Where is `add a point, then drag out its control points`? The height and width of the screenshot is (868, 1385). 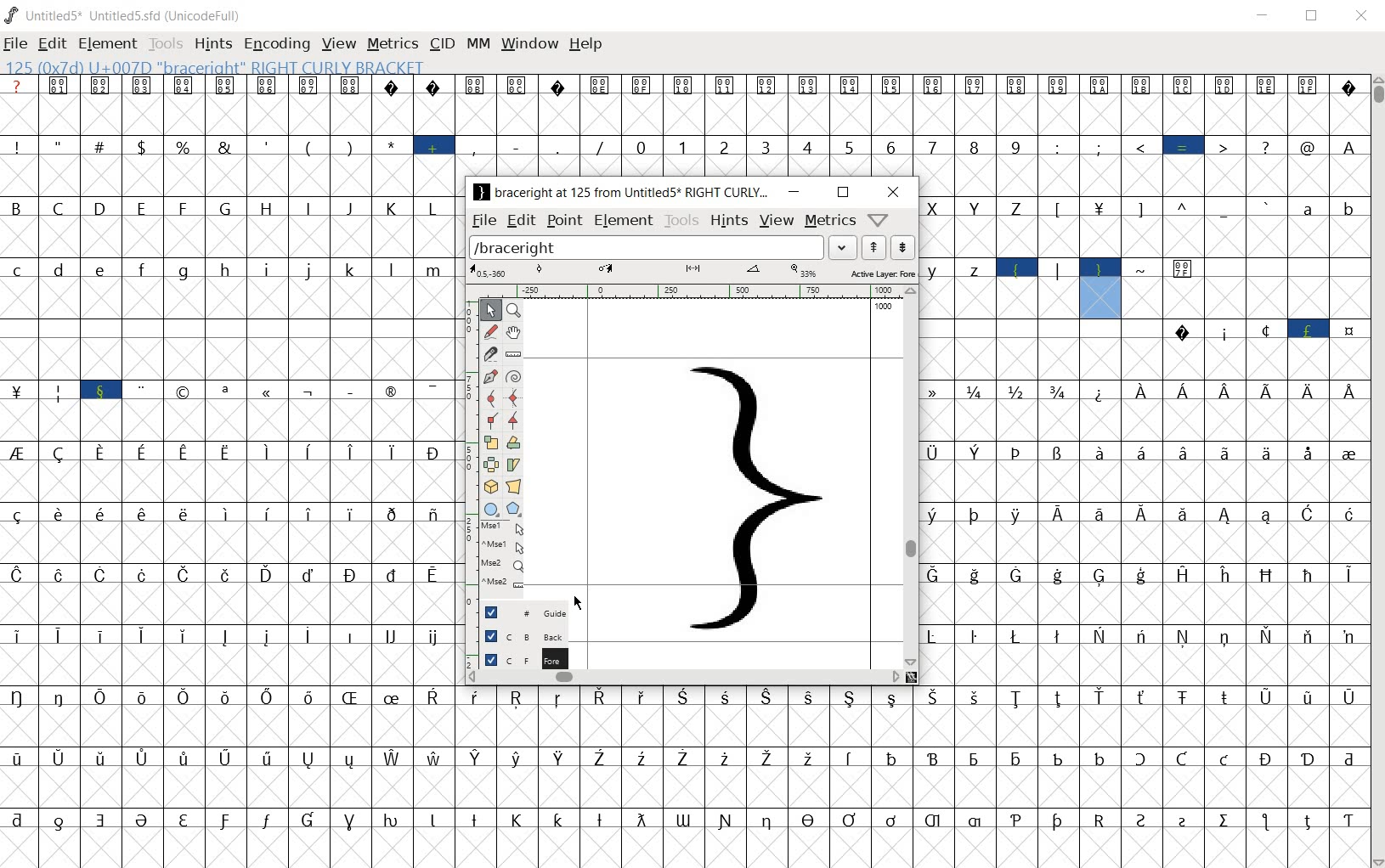
add a point, then drag out its control points is located at coordinates (488, 378).